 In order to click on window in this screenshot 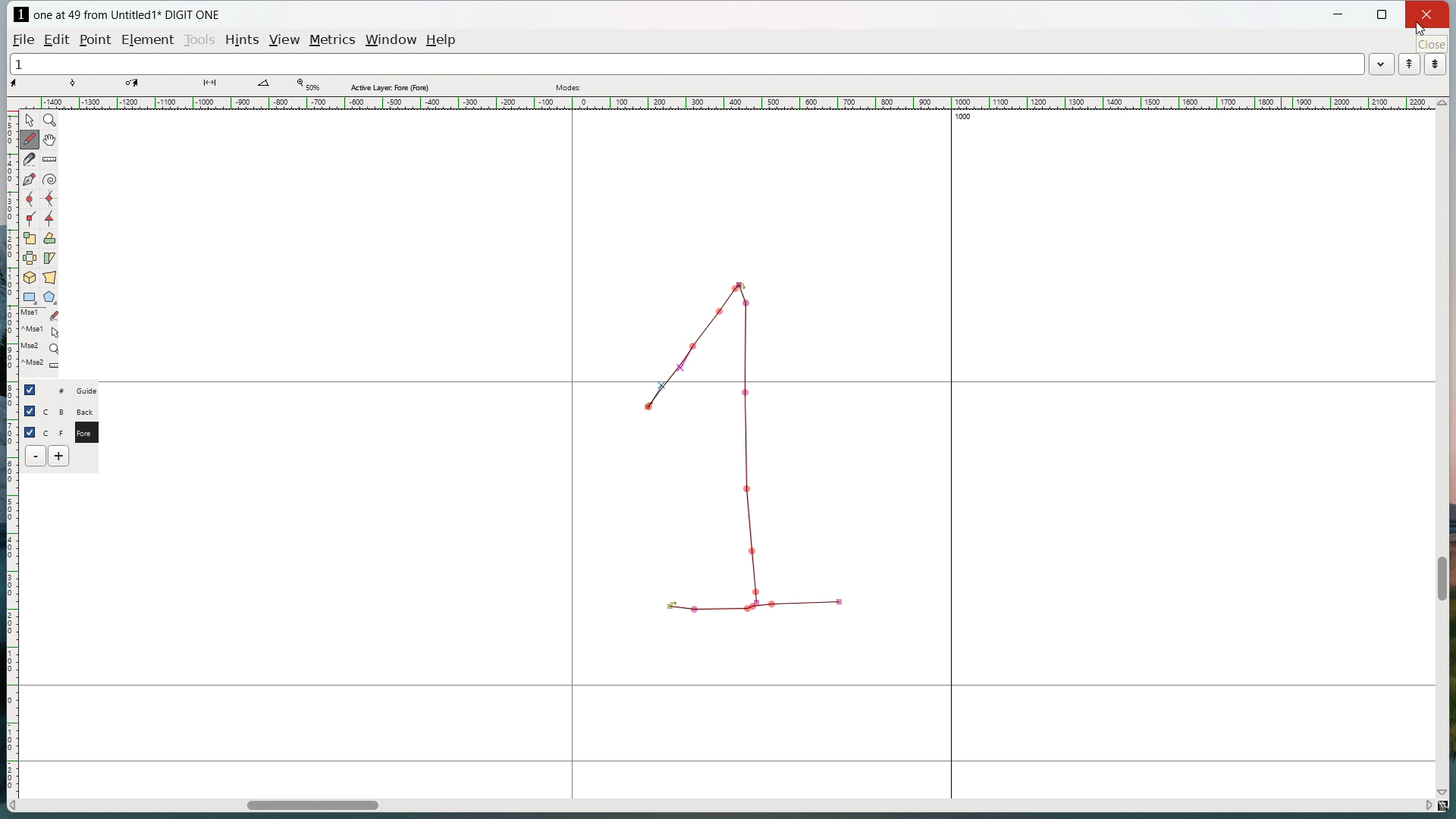, I will do `click(393, 39)`.